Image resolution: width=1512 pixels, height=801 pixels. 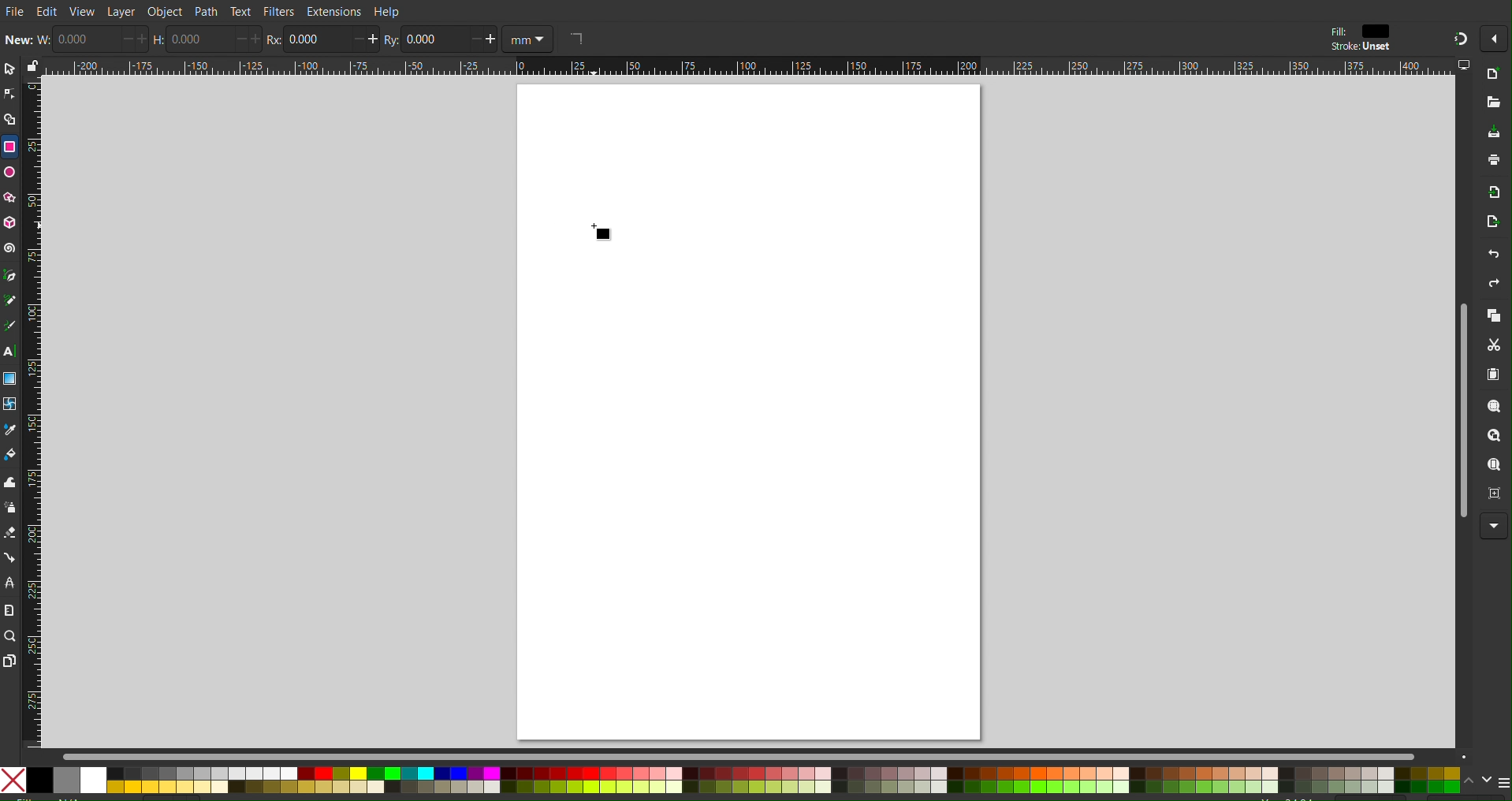 What do you see at coordinates (482, 39) in the screenshot?
I see `increase/decrease` at bounding box center [482, 39].